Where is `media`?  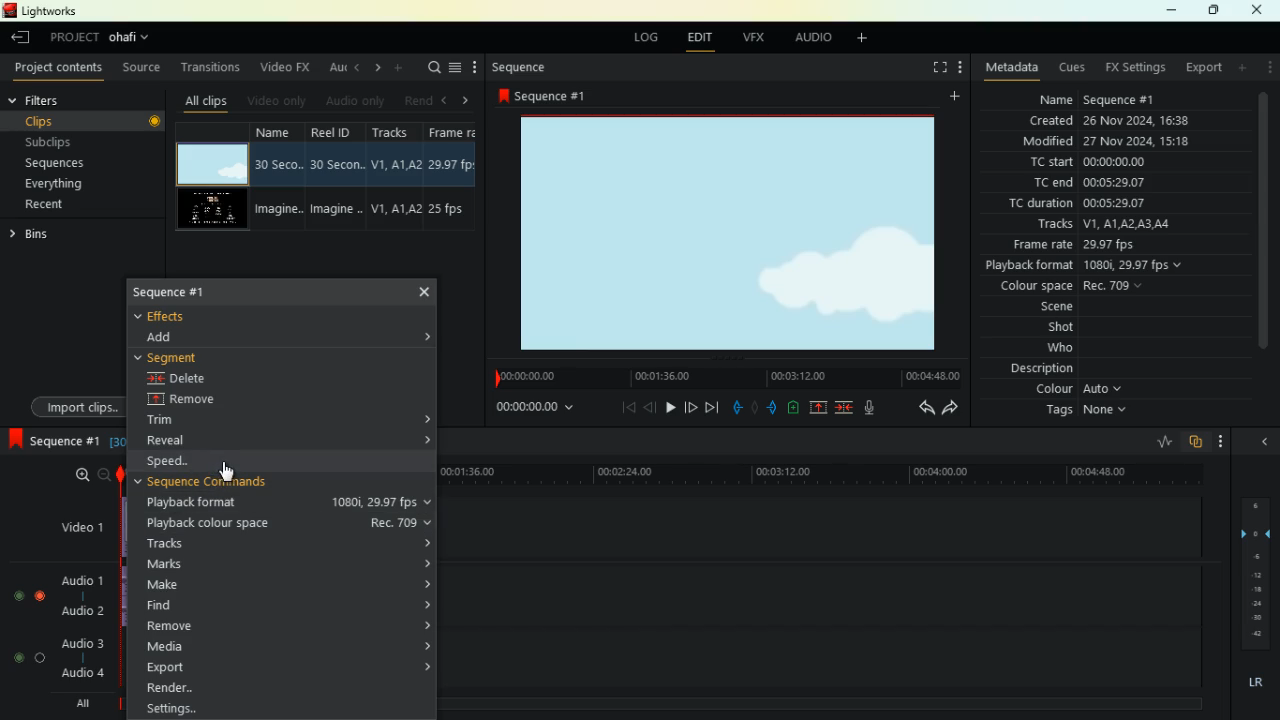 media is located at coordinates (285, 645).